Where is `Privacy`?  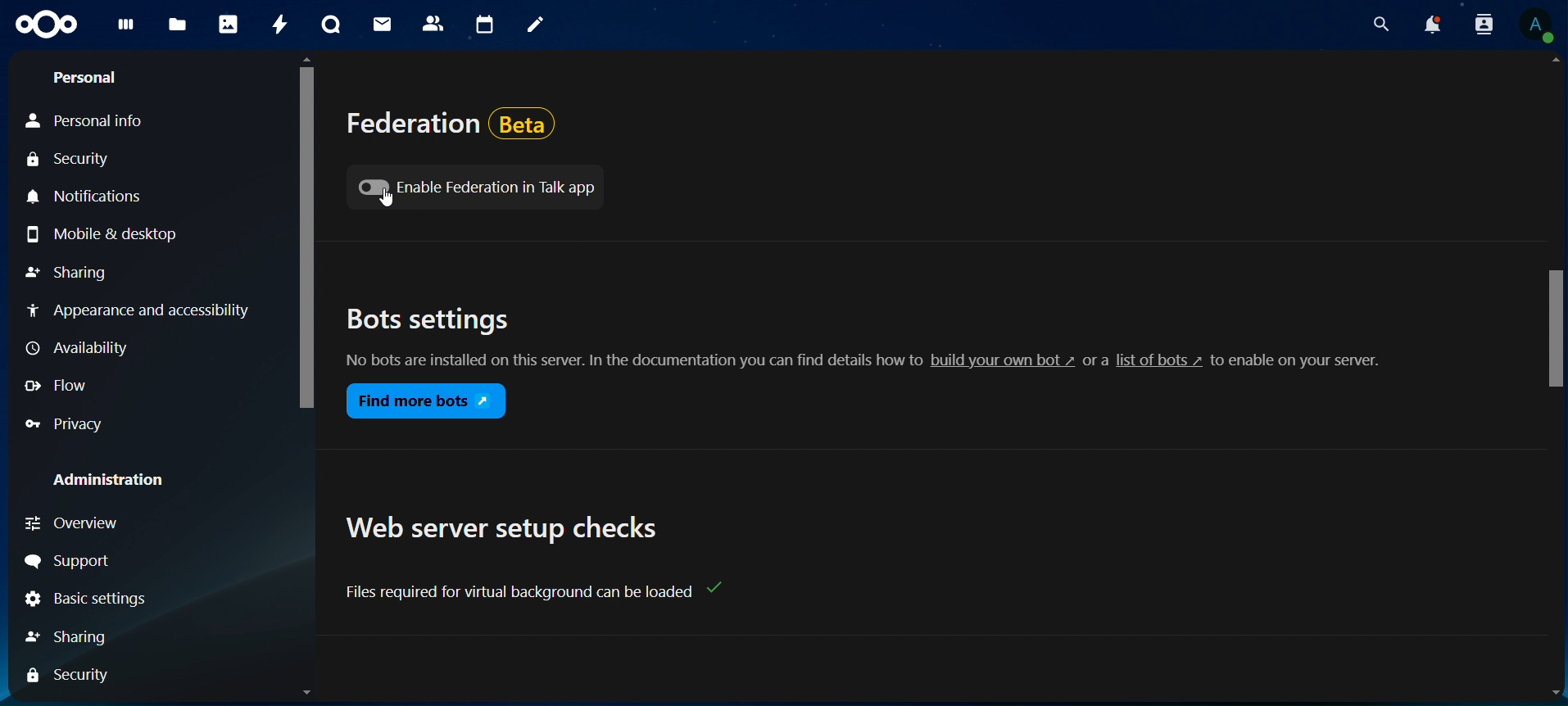 Privacy is located at coordinates (64, 424).